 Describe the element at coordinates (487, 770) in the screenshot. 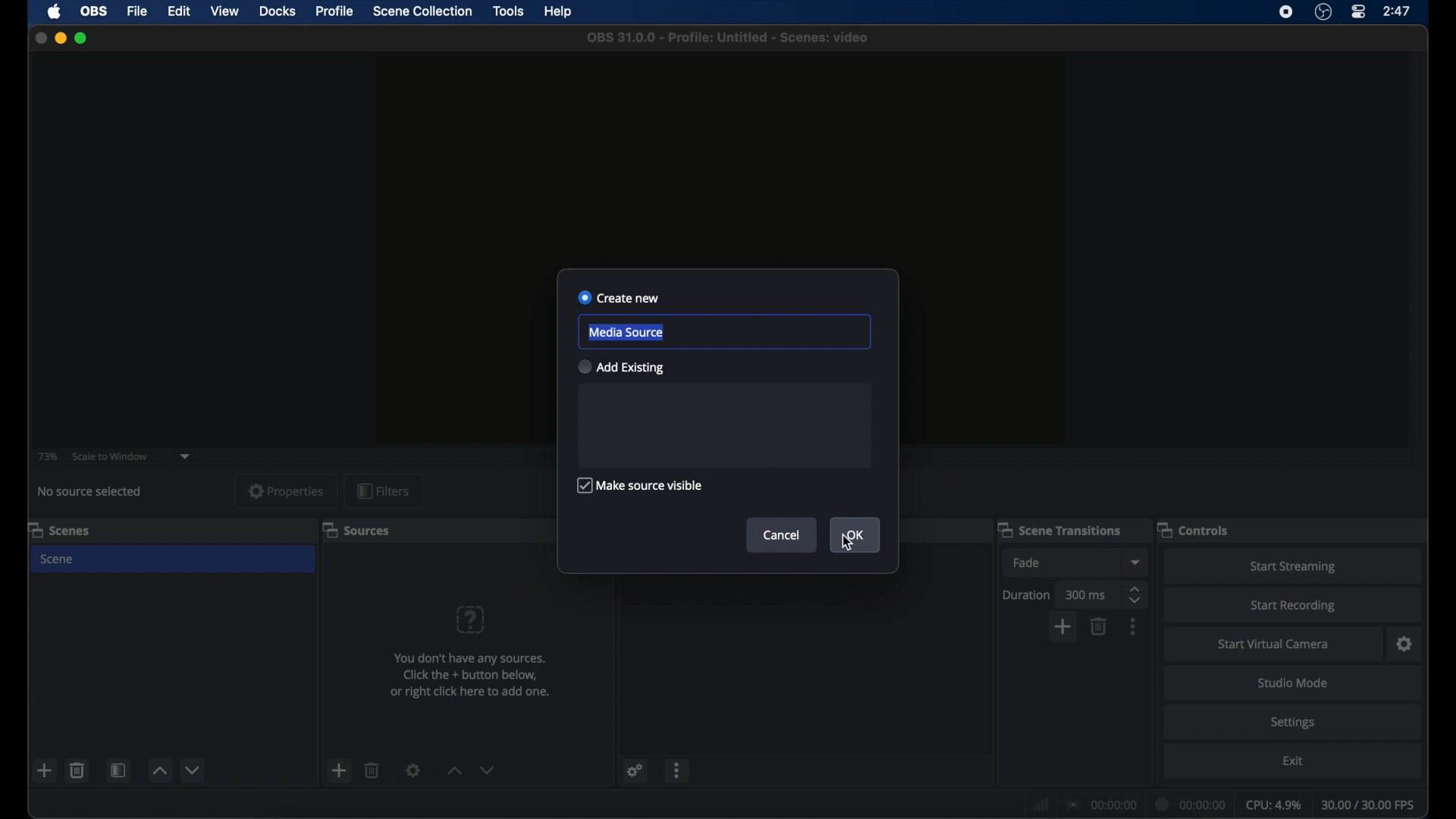

I see `decrement button` at that location.